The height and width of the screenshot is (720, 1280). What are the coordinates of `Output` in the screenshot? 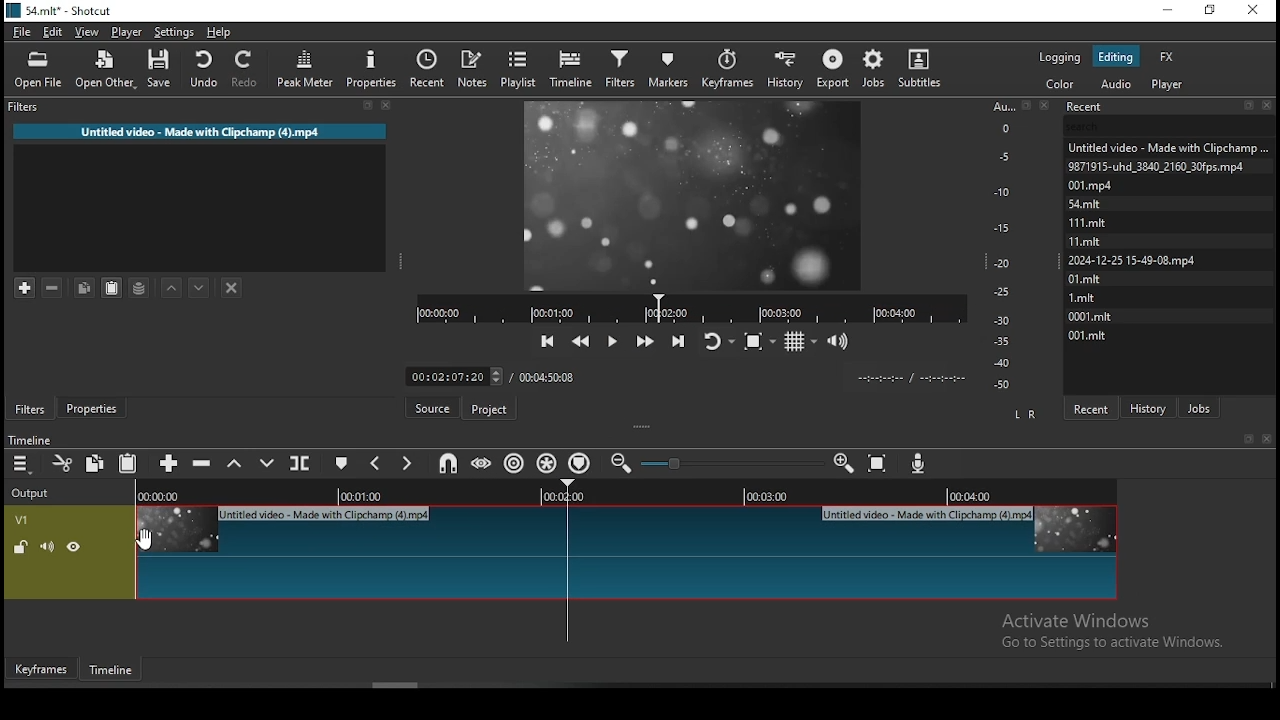 It's located at (33, 494).